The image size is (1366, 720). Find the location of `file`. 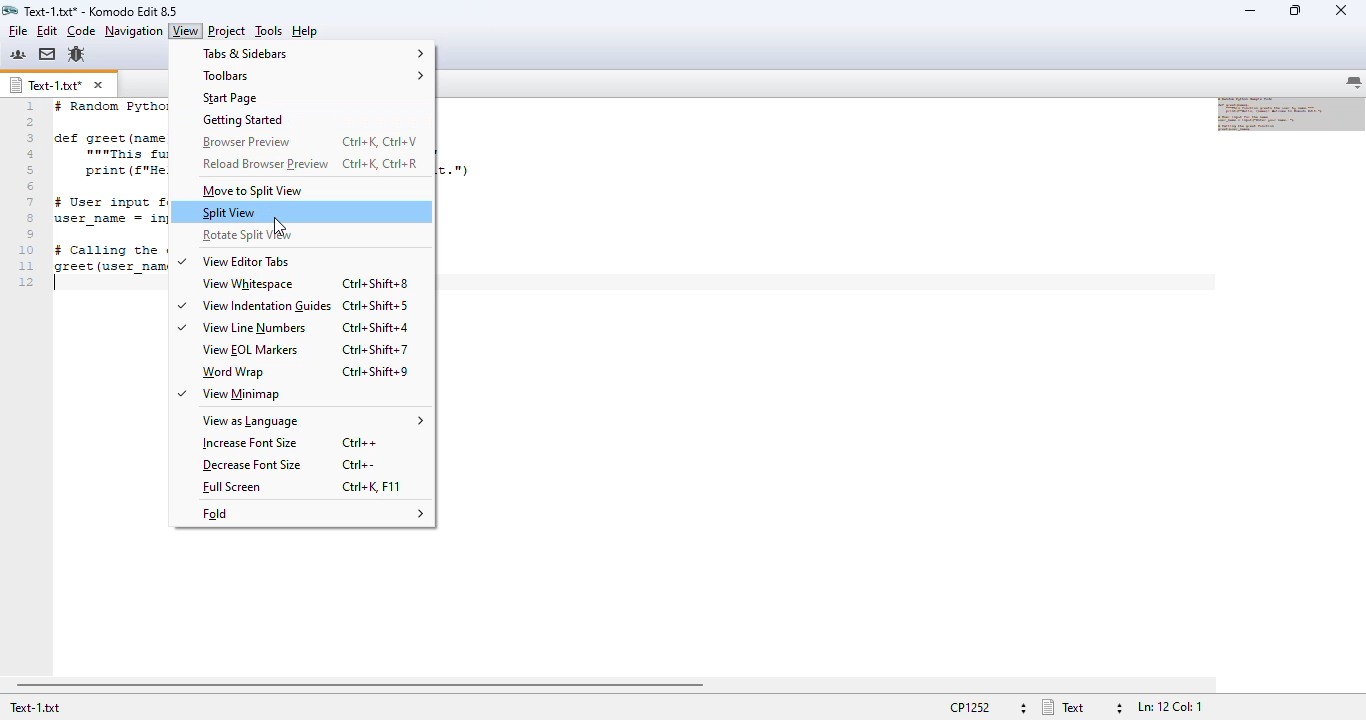

file is located at coordinates (18, 31).